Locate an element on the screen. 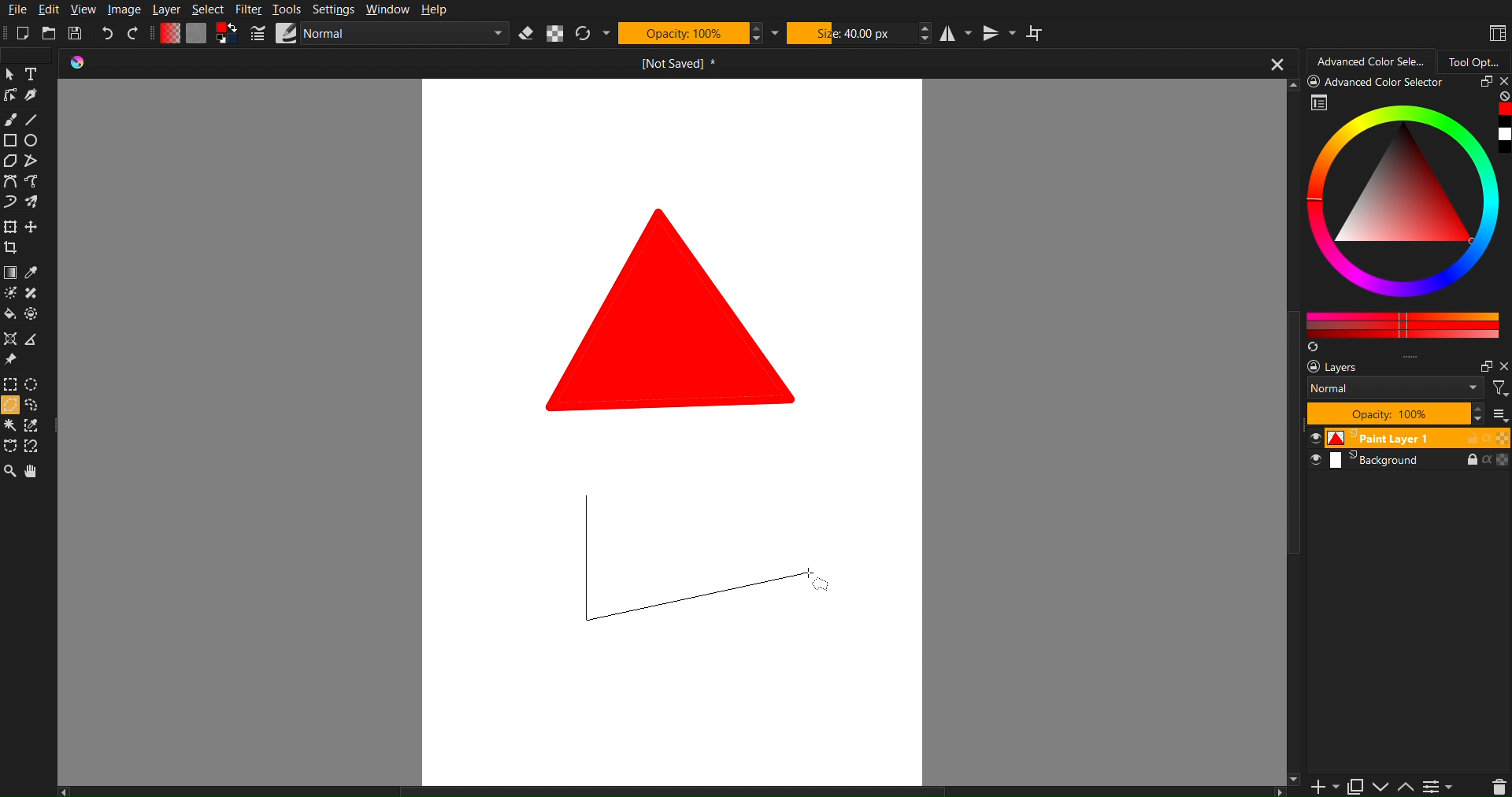  Dropper is located at coordinates (32, 274).